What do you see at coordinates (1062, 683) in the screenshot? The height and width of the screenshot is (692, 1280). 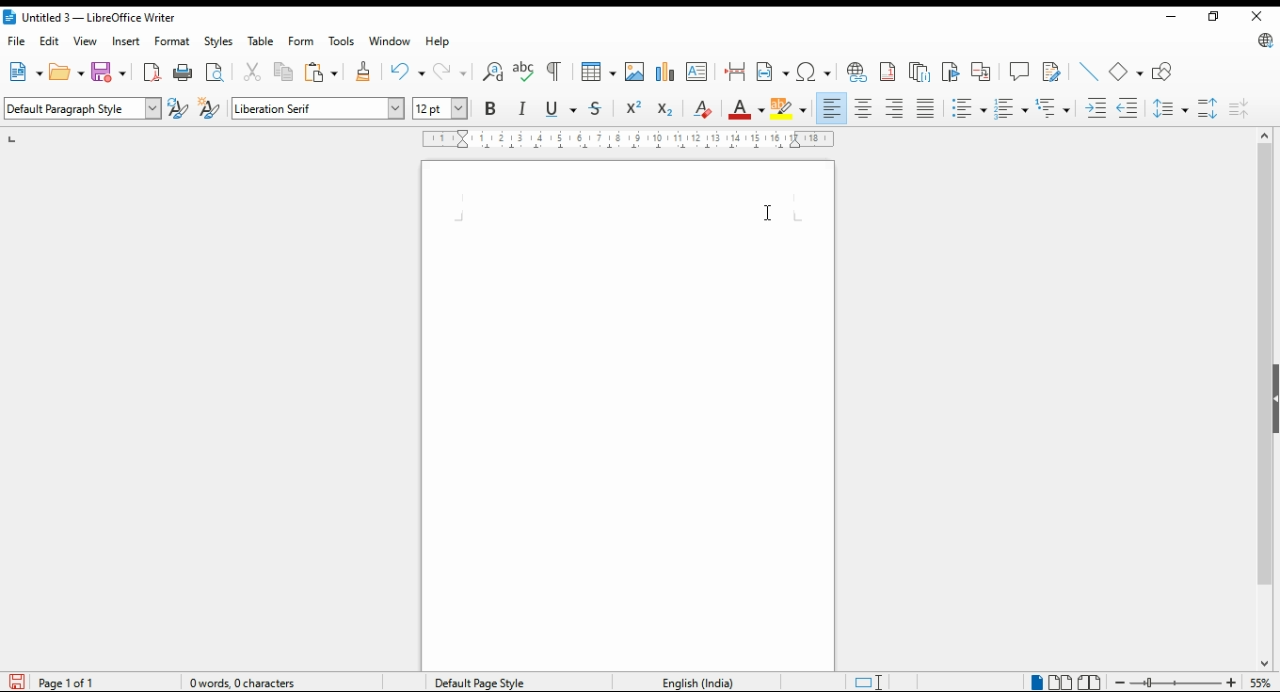 I see `multipage view` at bounding box center [1062, 683].